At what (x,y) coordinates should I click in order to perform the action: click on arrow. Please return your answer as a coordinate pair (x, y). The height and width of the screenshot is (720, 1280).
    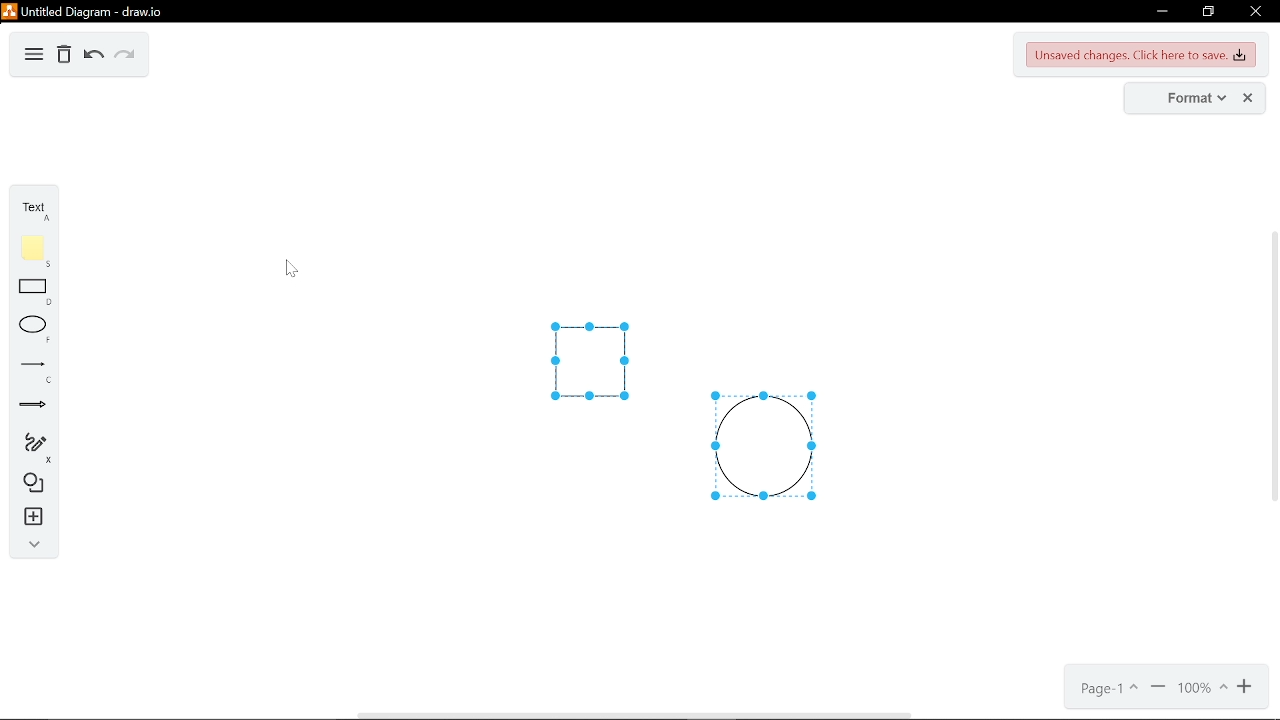
    Looking at the image, I should click on (27, 408).